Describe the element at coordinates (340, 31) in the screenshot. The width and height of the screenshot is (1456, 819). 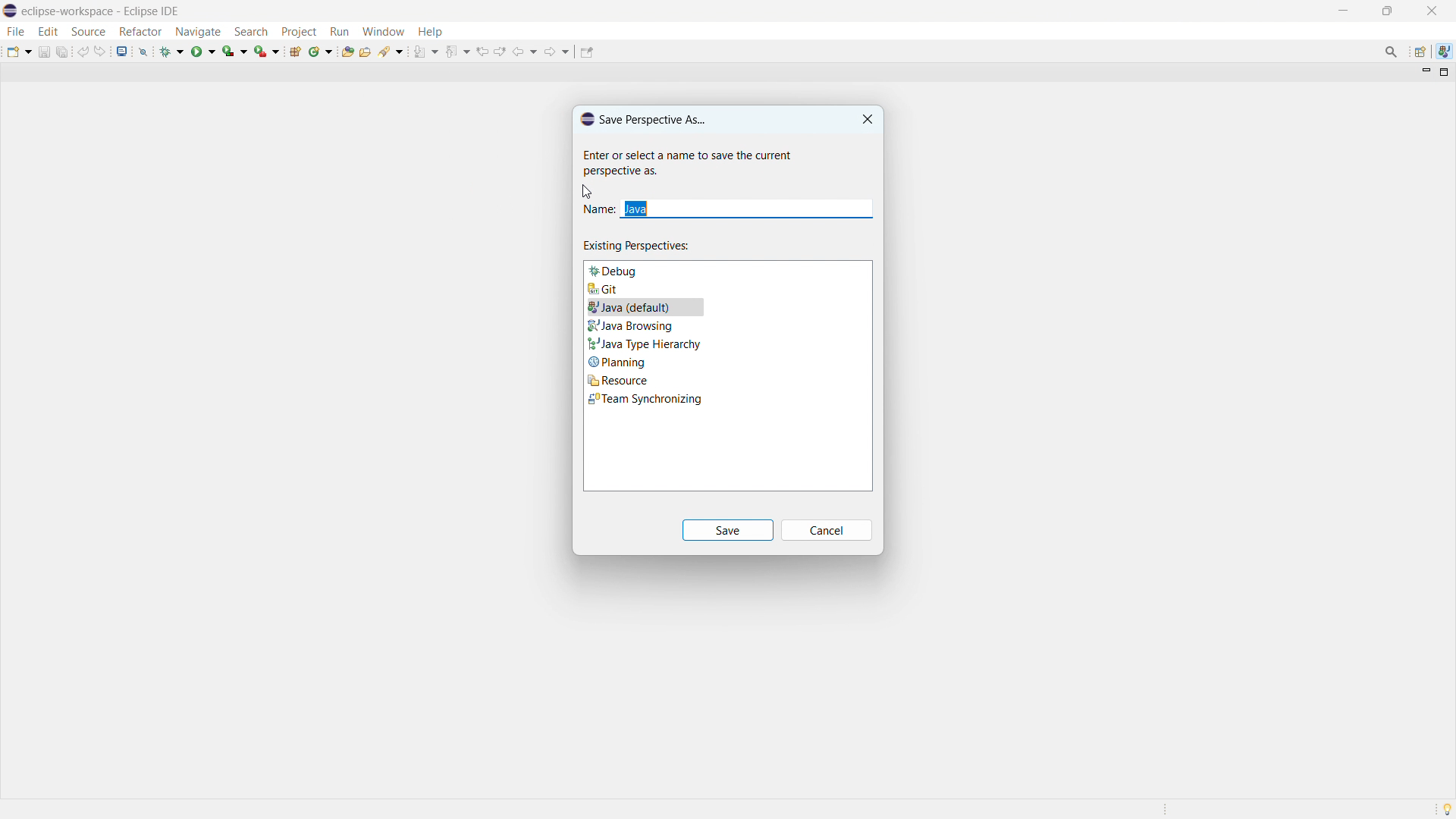
I see `run` at that location.